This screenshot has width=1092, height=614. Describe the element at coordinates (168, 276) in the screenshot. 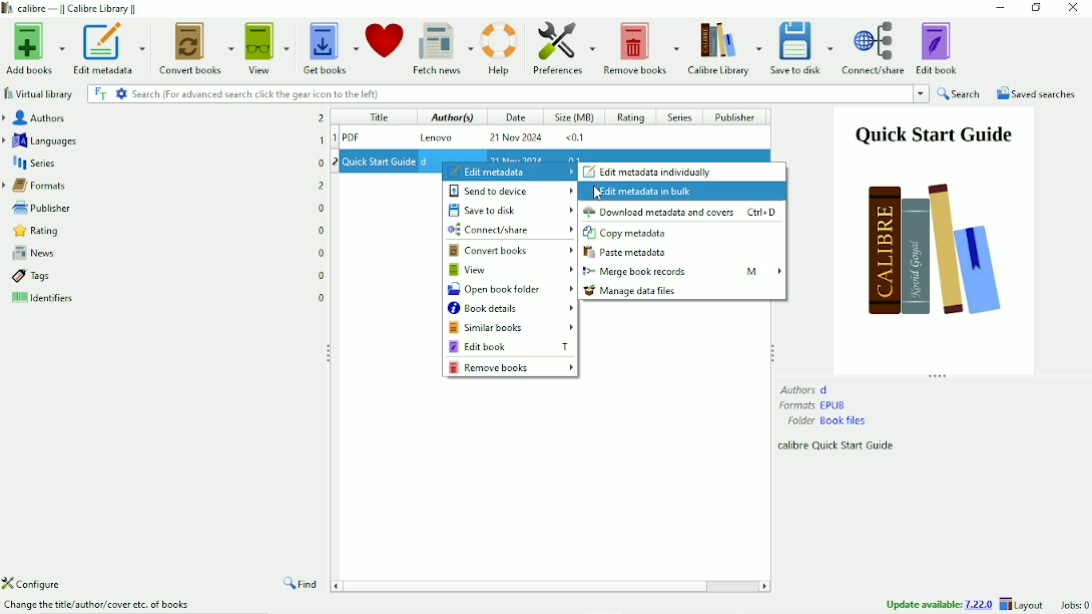

I see `Tags` at that location.